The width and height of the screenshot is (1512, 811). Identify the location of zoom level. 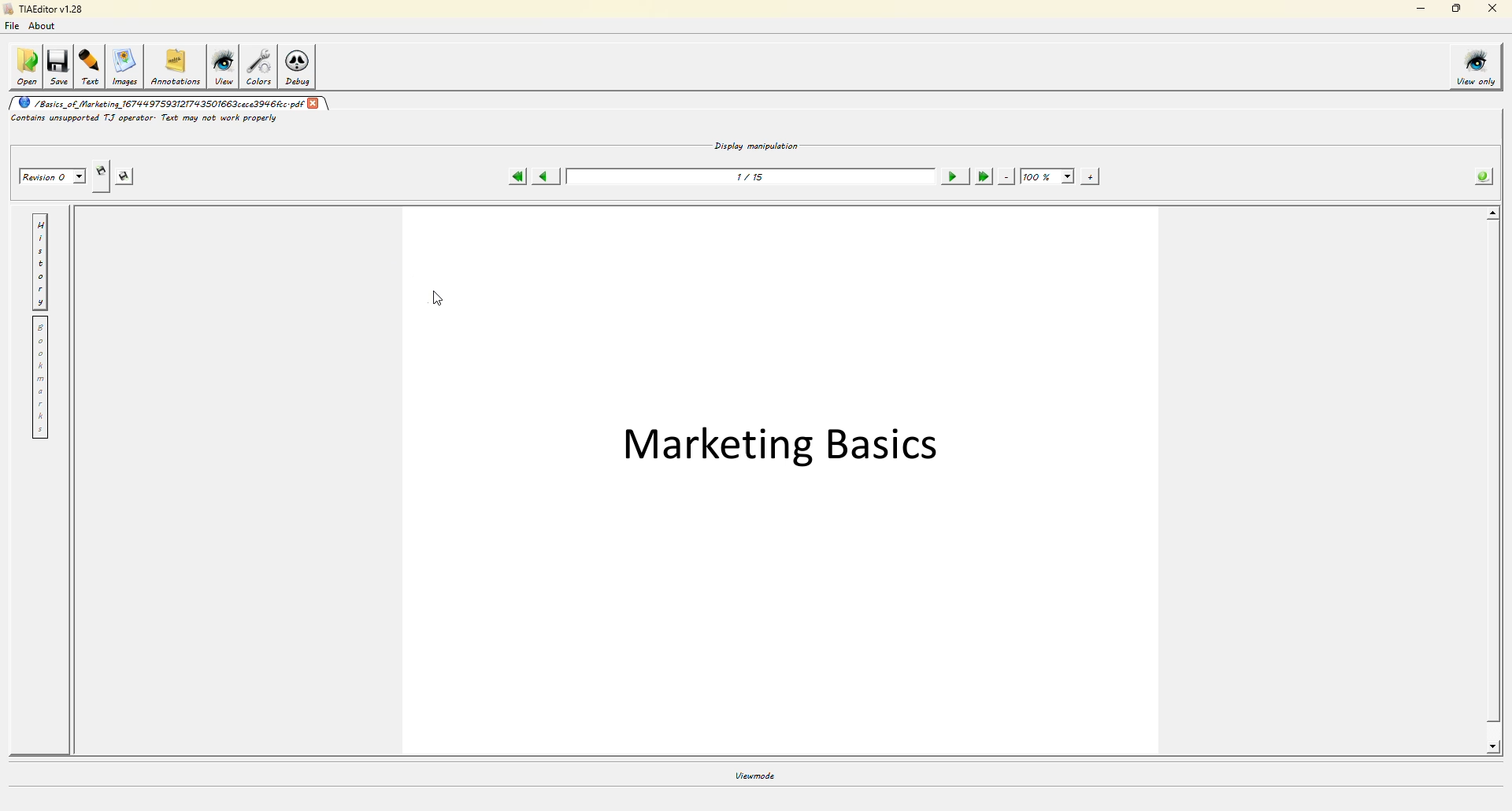
(1048, 177).